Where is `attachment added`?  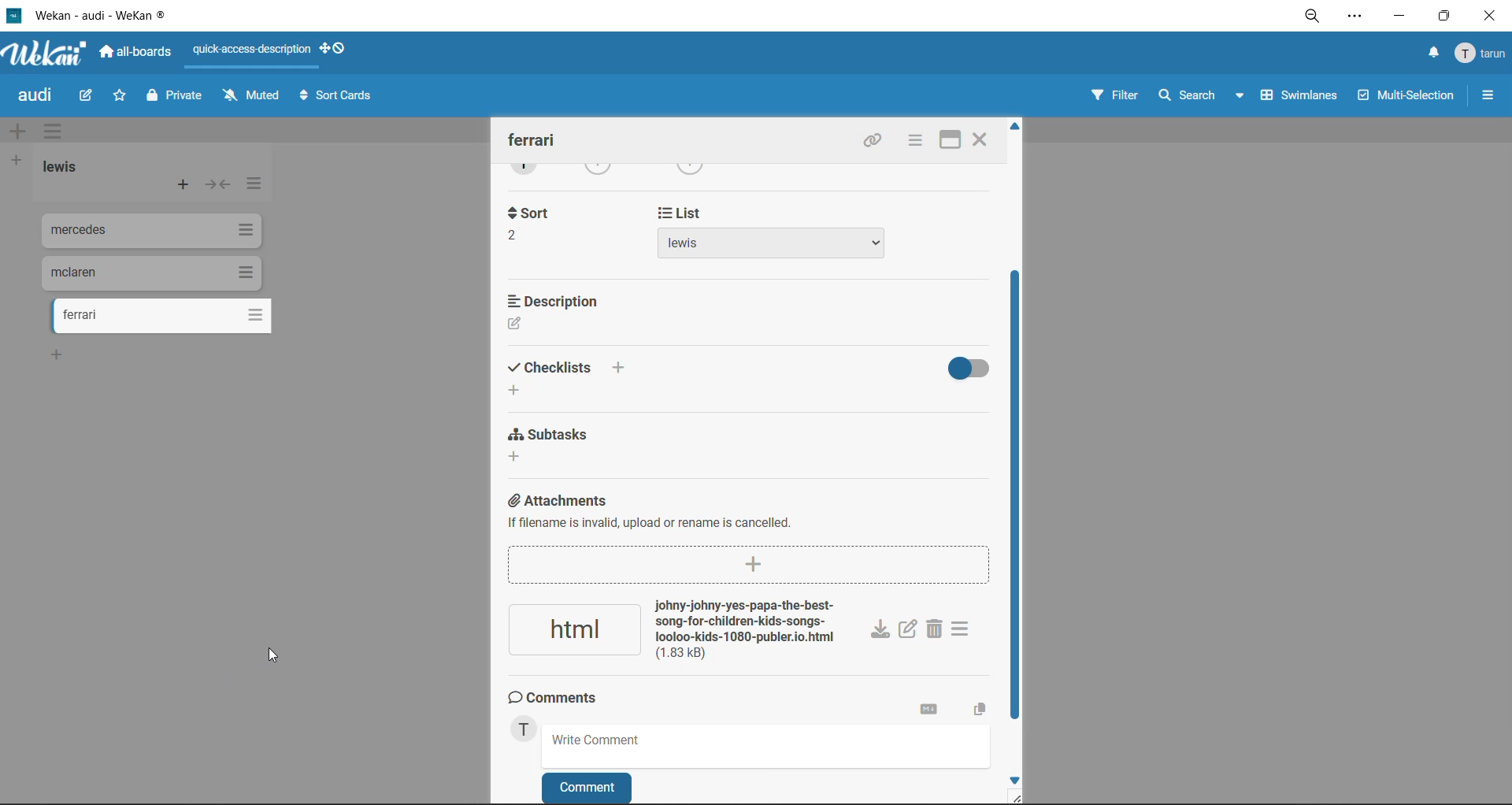
attachment added is located at coordinates (681, 632).